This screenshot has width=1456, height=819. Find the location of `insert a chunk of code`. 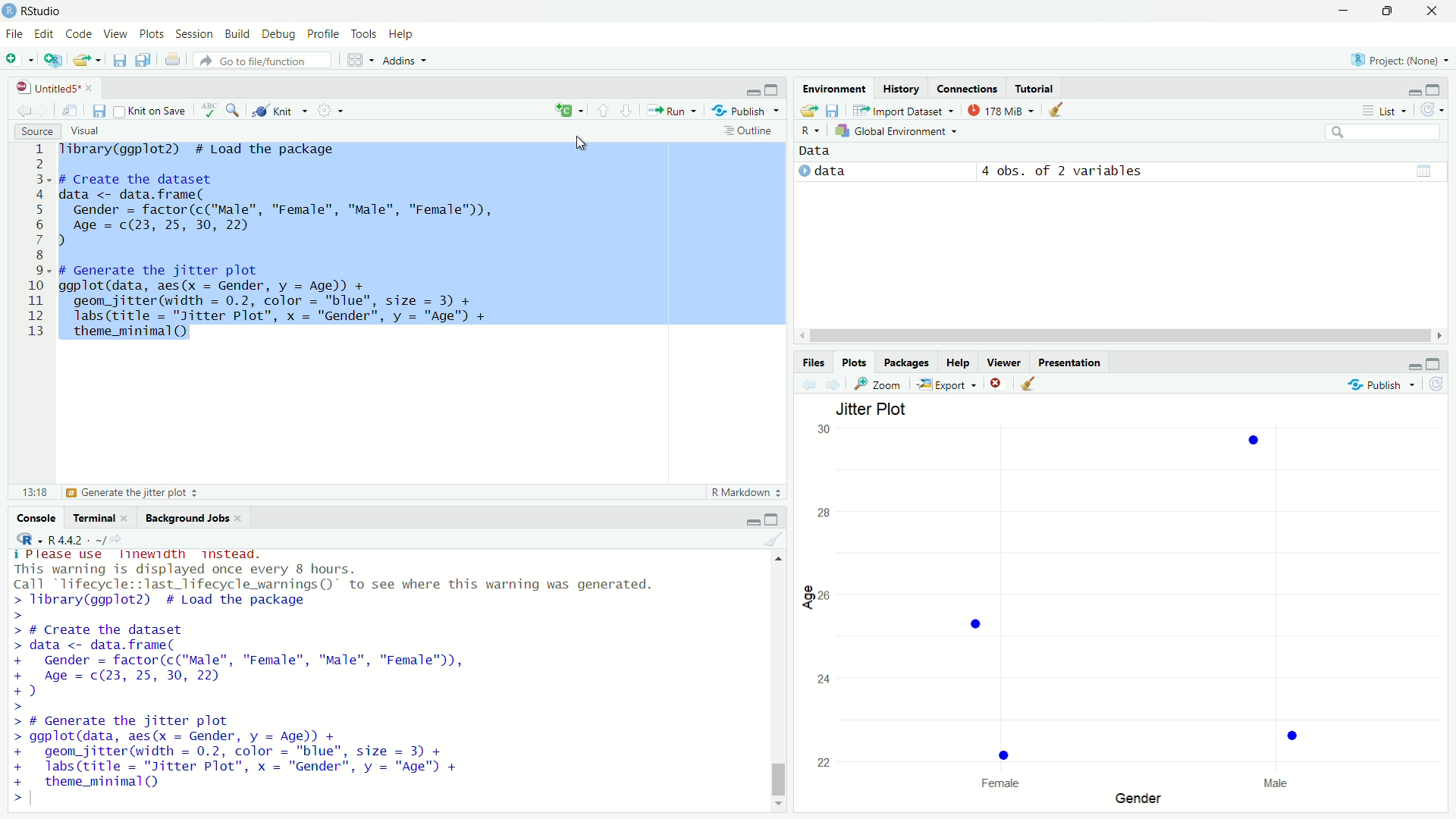

insert a chunk of code is located at coordinates (569, 108).